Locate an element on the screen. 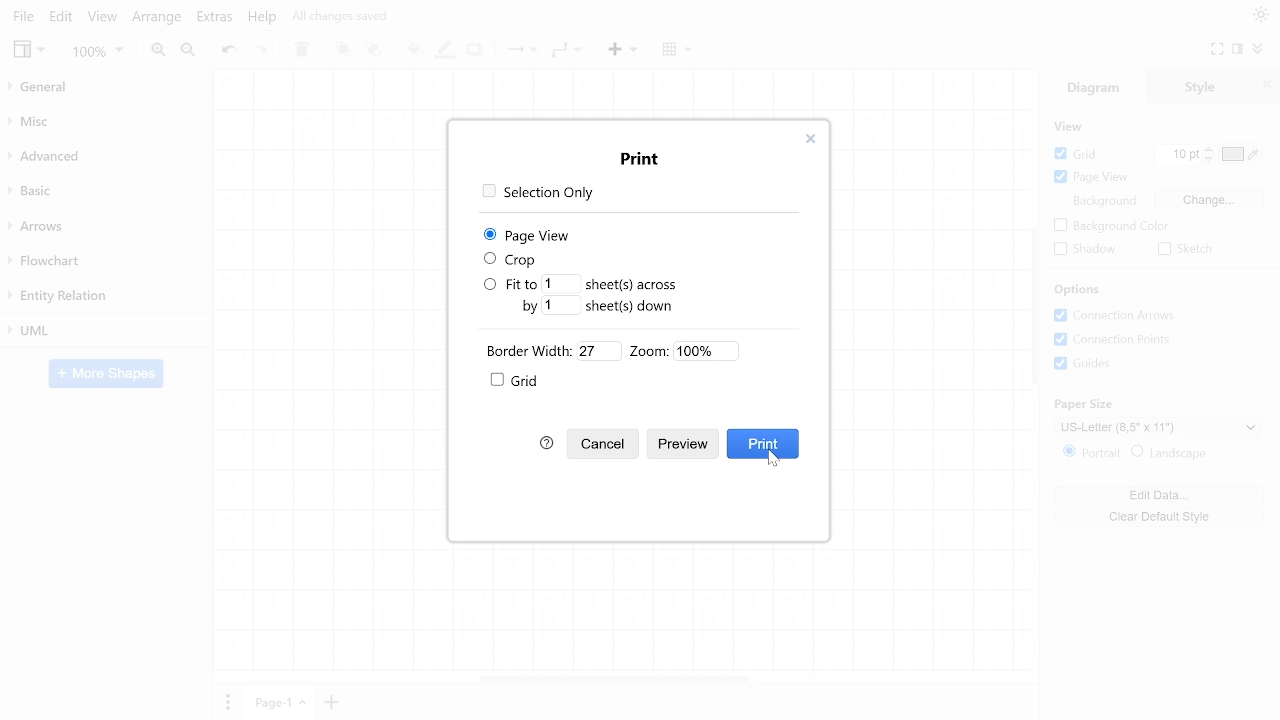 Image resolution: width=1280 pixels, height=720 pixels. Vertical scrollbar is located at coordinates (1037, 306).